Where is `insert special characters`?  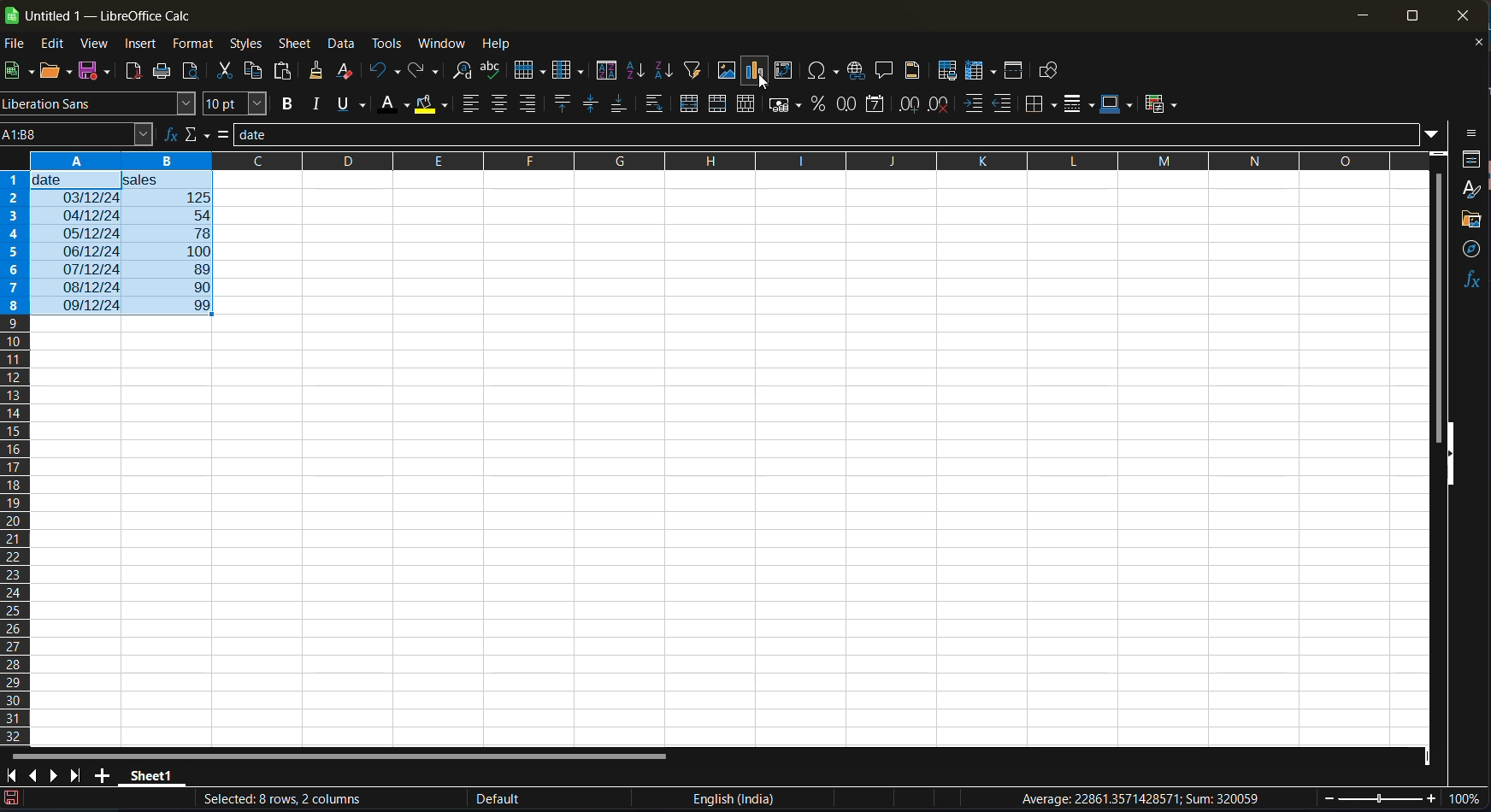 insert special characters is located at coordinates (824, 72).